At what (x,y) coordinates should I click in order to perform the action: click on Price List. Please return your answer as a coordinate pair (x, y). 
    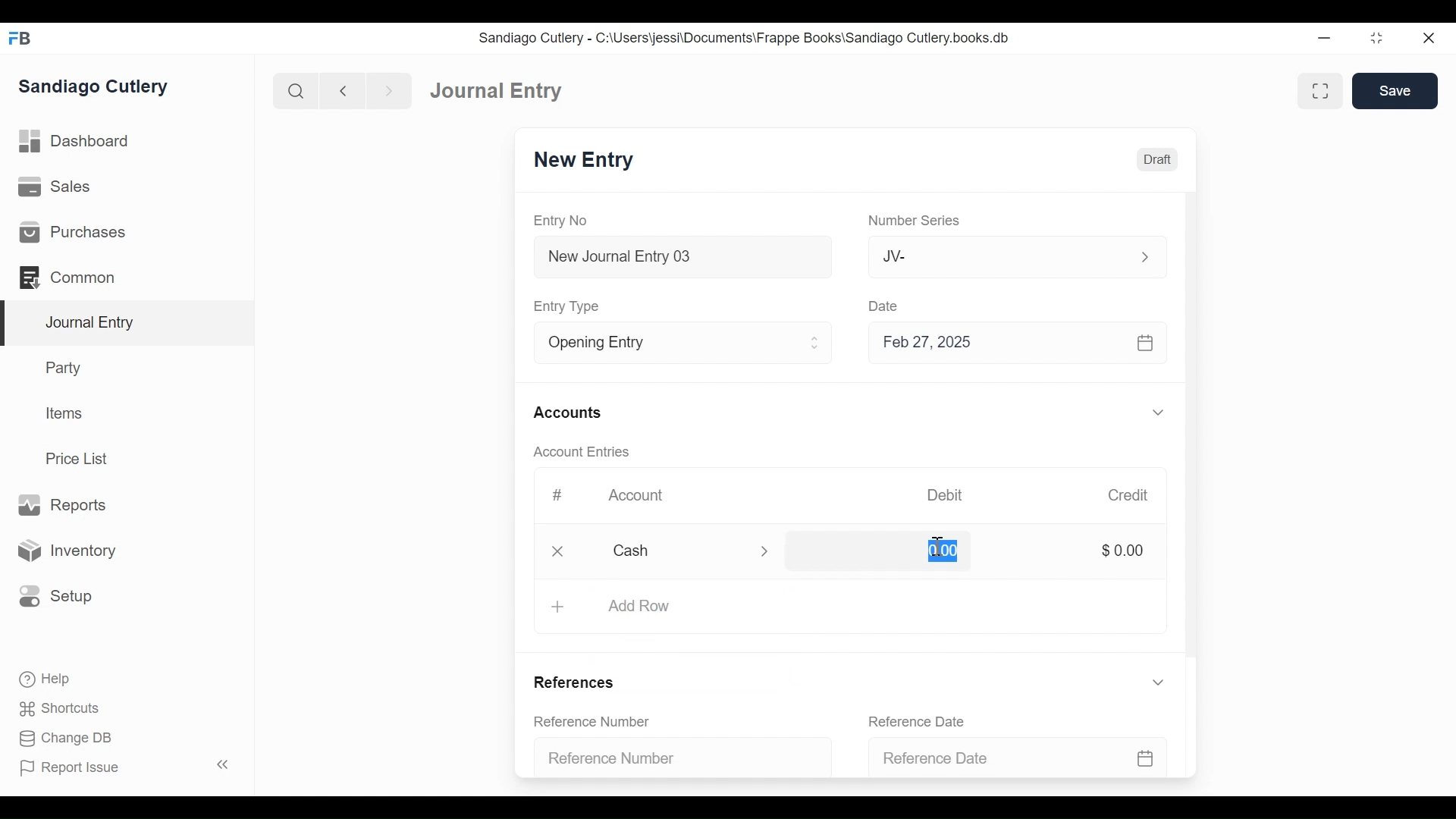
    Looking at the image, I should click on (80, 458).